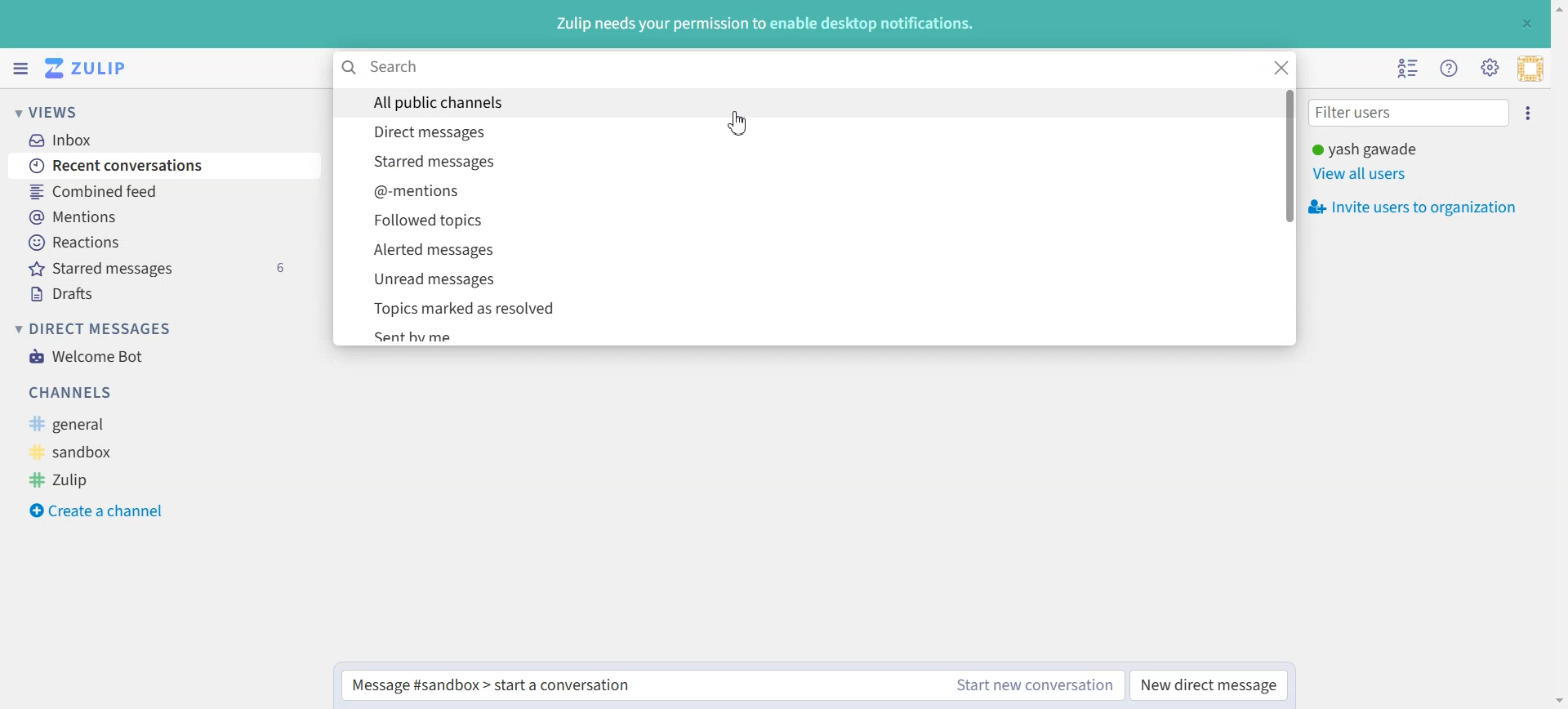 The height and width of the screenshot is (709, 1568). Describe the element at coordinates (801, 190) in the screenshot. I see `@-mentions` at that location.